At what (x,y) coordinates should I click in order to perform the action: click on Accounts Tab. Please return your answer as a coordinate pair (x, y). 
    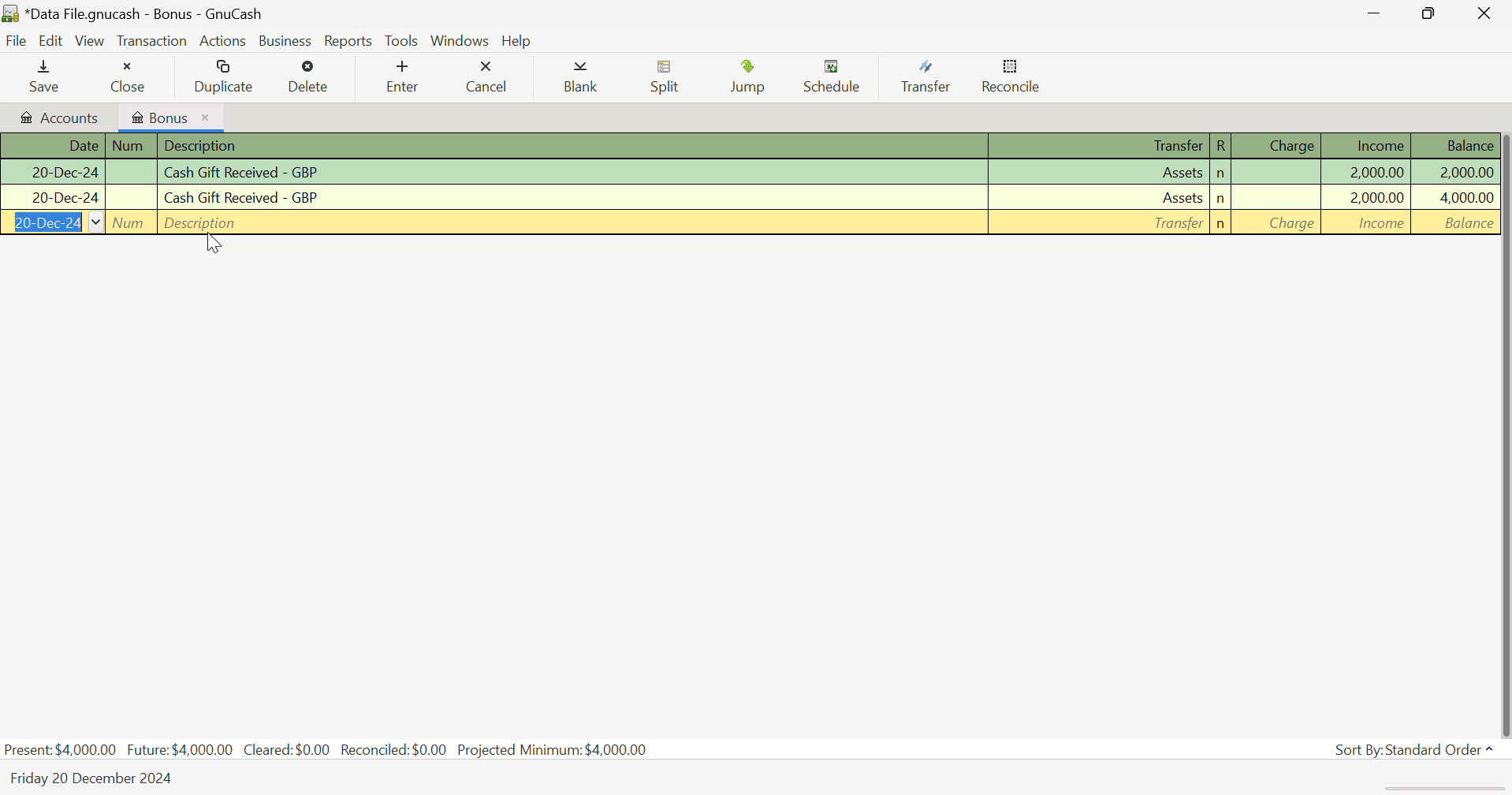
    Looking at the image, I should click on (56, 115).